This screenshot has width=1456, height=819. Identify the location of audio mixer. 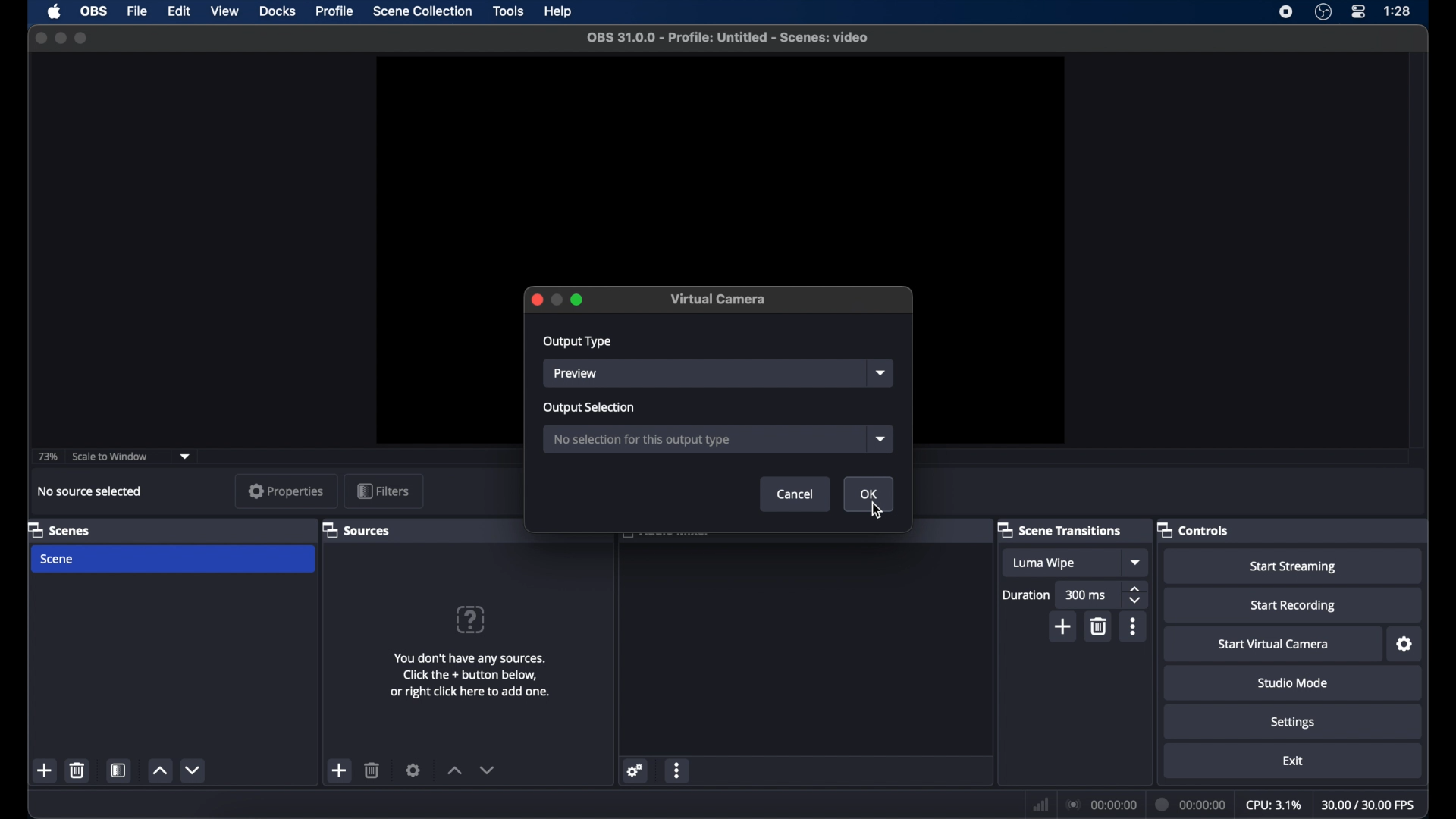
(667, 537).